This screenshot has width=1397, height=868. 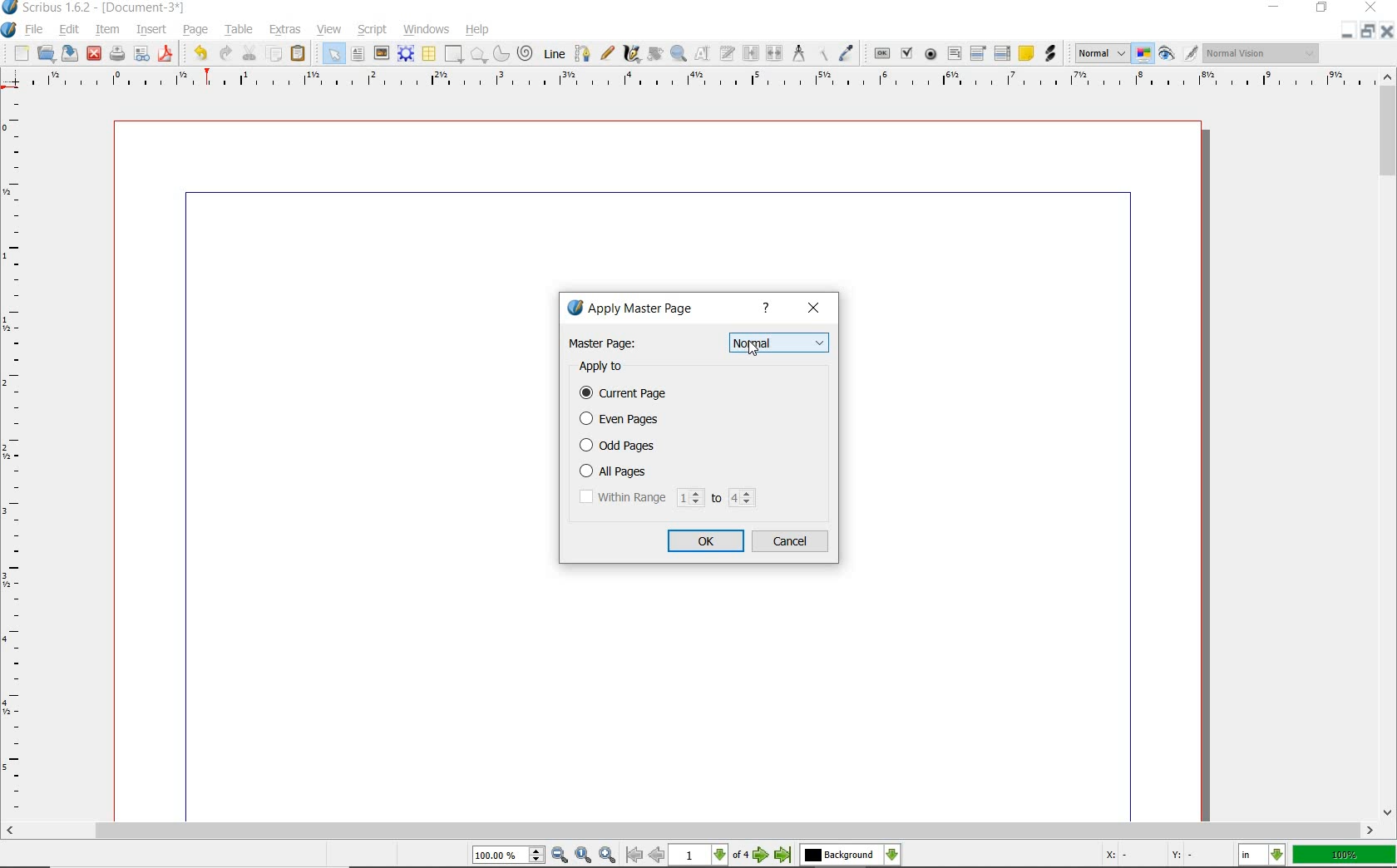 I want to click on Zoom Out, so click(x=559, y=855).